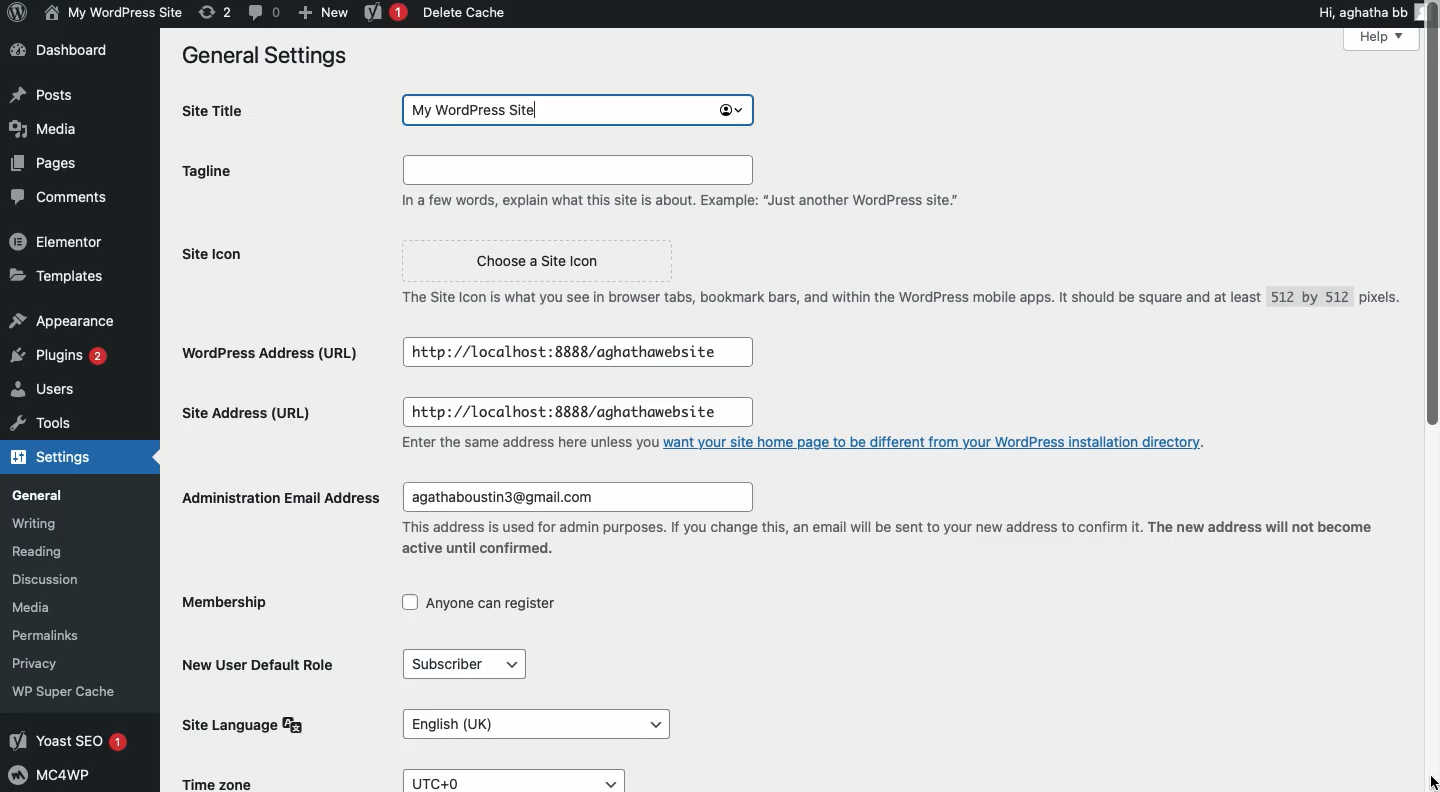 This screenshot has width=1440, height=792. What do you see at coordinates (469, 664) in the screenshot?
I see `Subscriber` at bounding box center [469, 664].